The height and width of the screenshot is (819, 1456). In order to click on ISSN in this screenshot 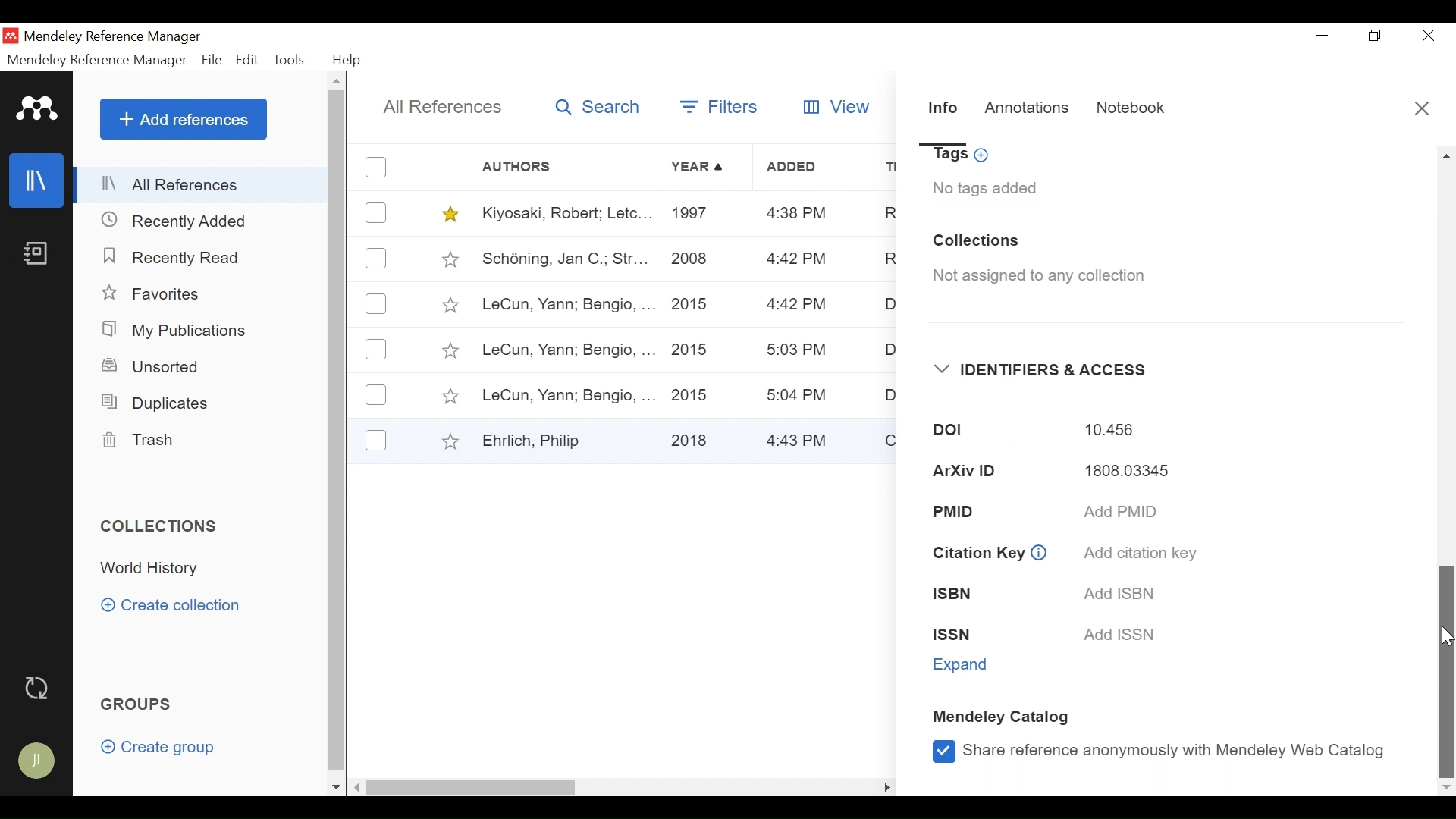, I will do `click(966, 635)`.